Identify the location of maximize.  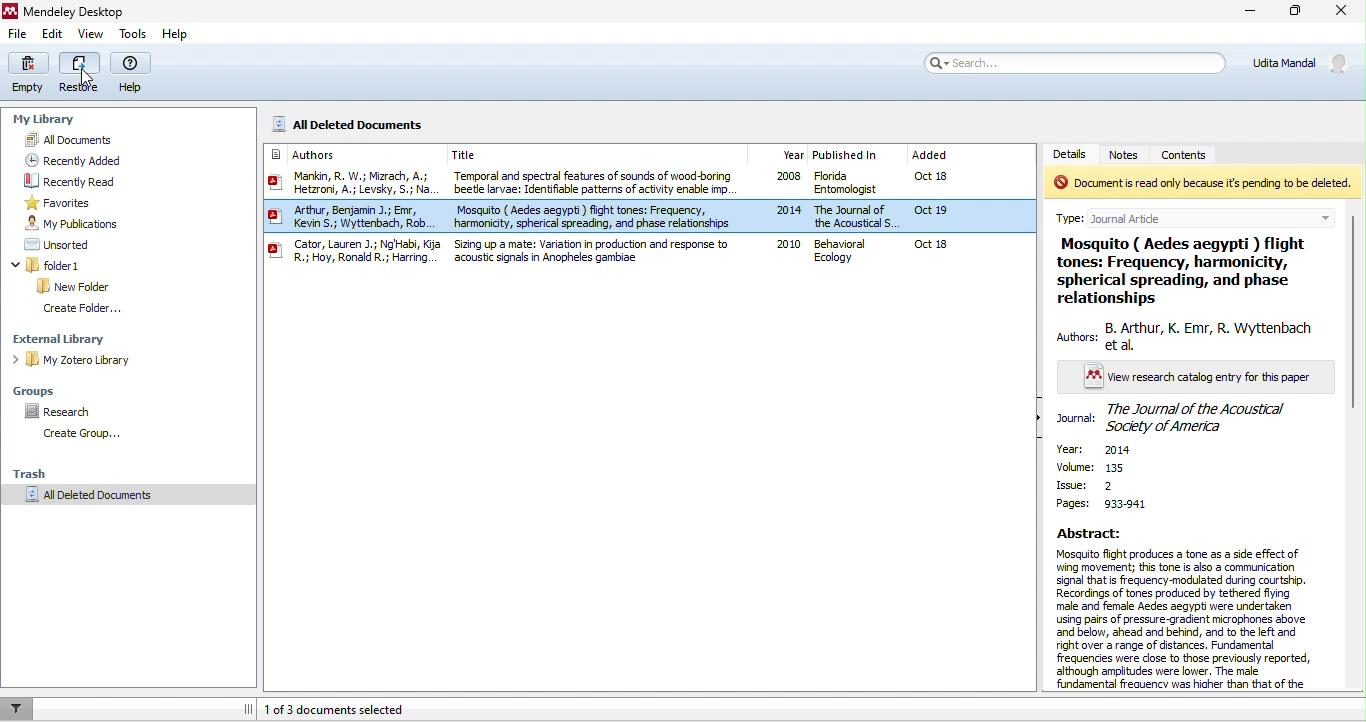
(1292, 12).